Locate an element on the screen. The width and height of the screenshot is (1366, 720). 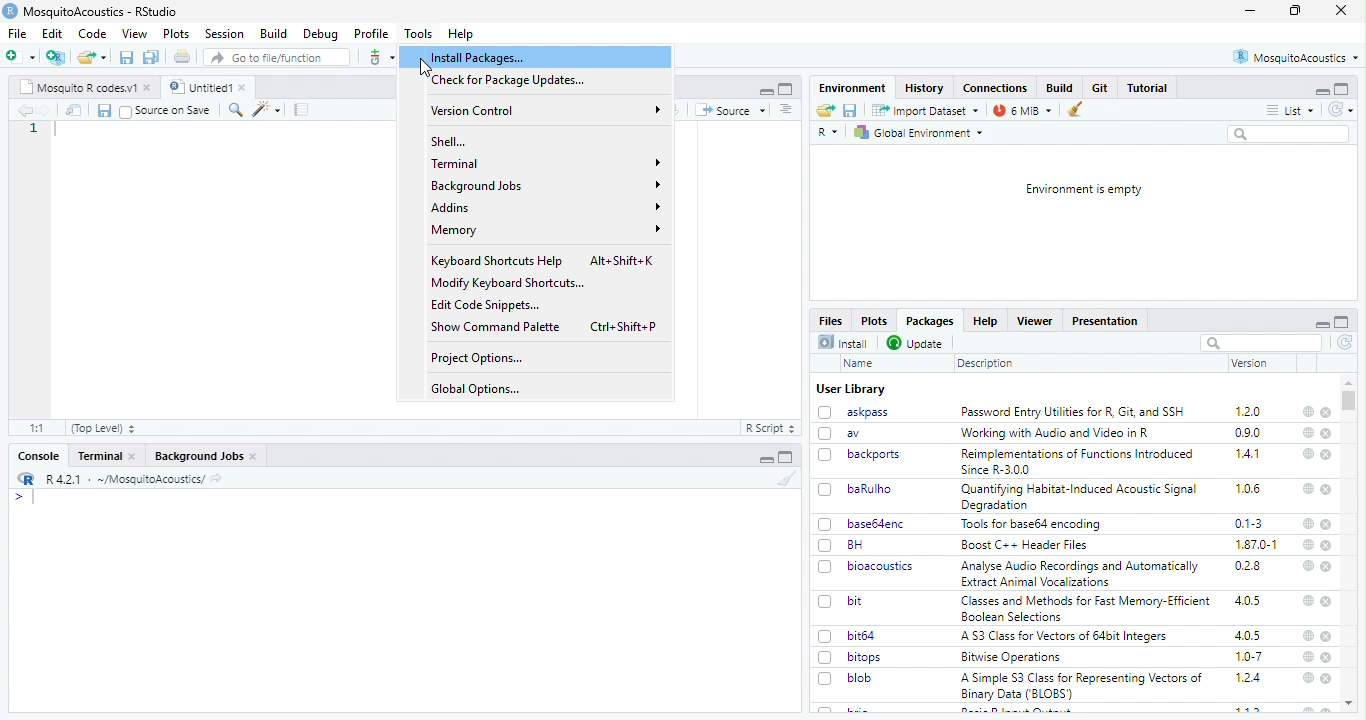
minimise is located at coordinates (1323, 92).